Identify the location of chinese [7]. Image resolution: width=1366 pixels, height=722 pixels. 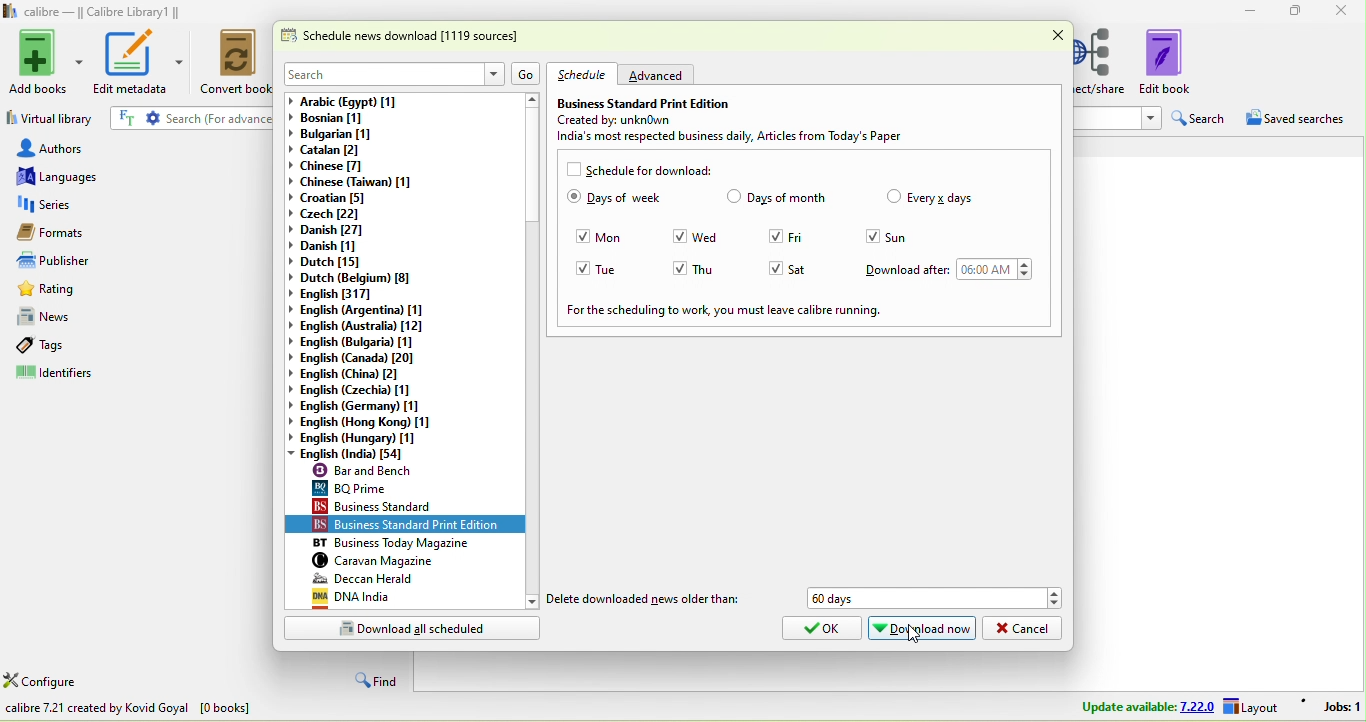
(342, 167).